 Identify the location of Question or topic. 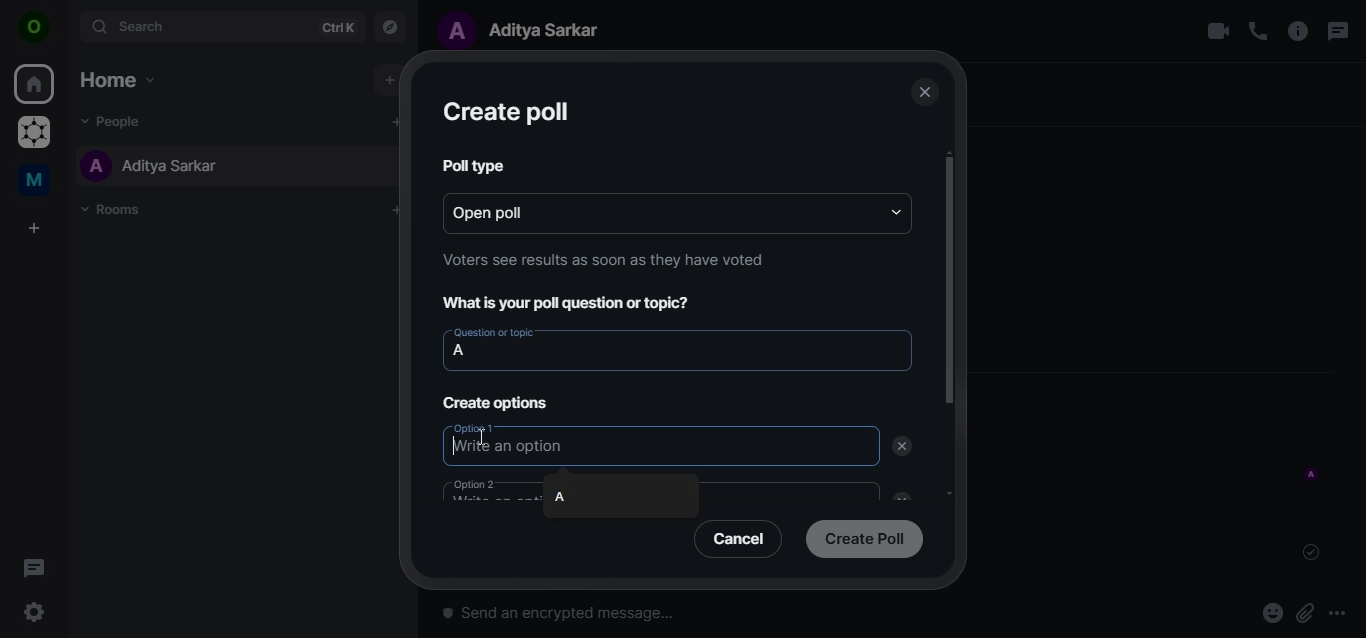
(493, 332).